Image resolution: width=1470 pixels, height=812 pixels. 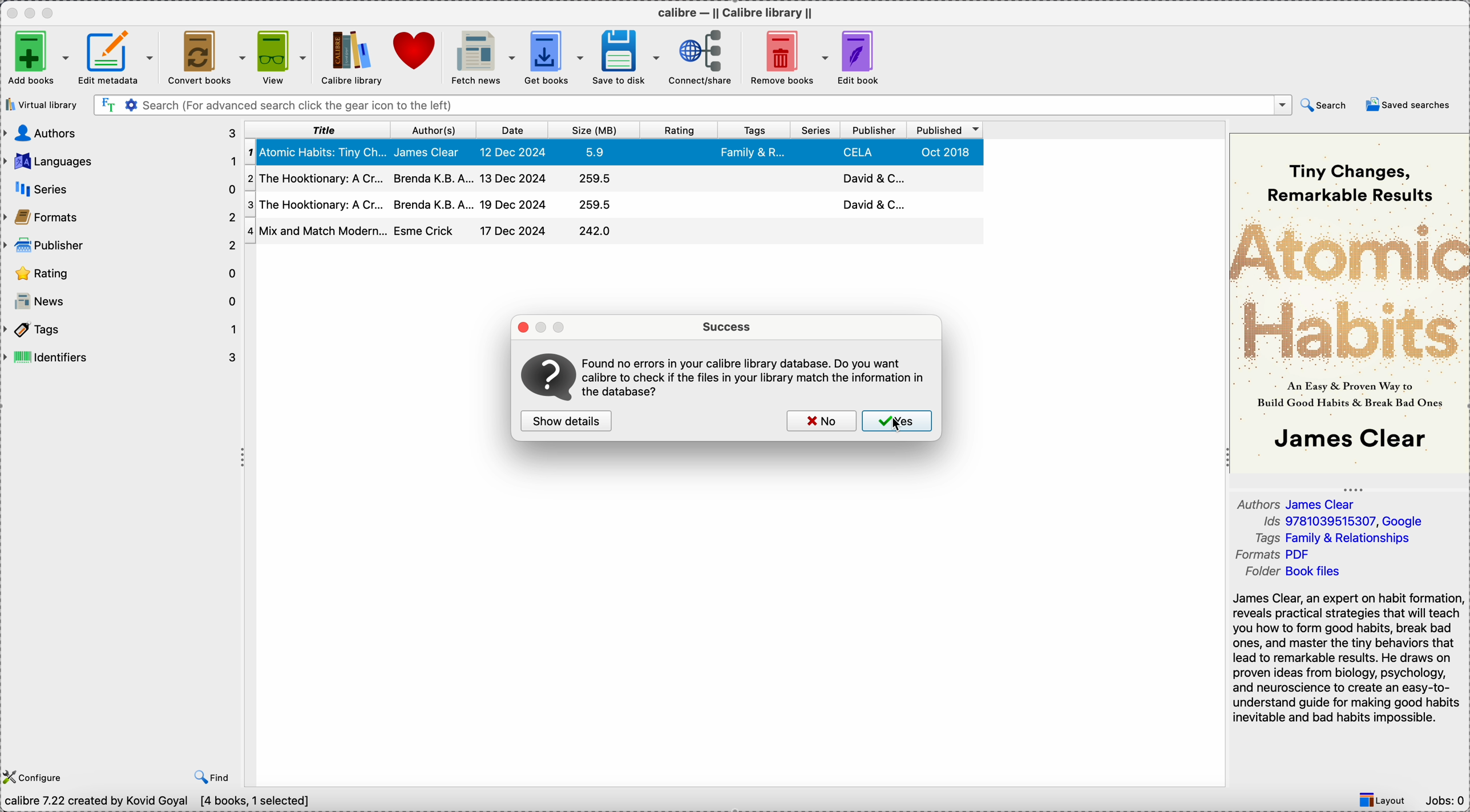 What do you see at coordinates (946, 131) in the screenshot?
I see `published` at bounding box center [946, 131].